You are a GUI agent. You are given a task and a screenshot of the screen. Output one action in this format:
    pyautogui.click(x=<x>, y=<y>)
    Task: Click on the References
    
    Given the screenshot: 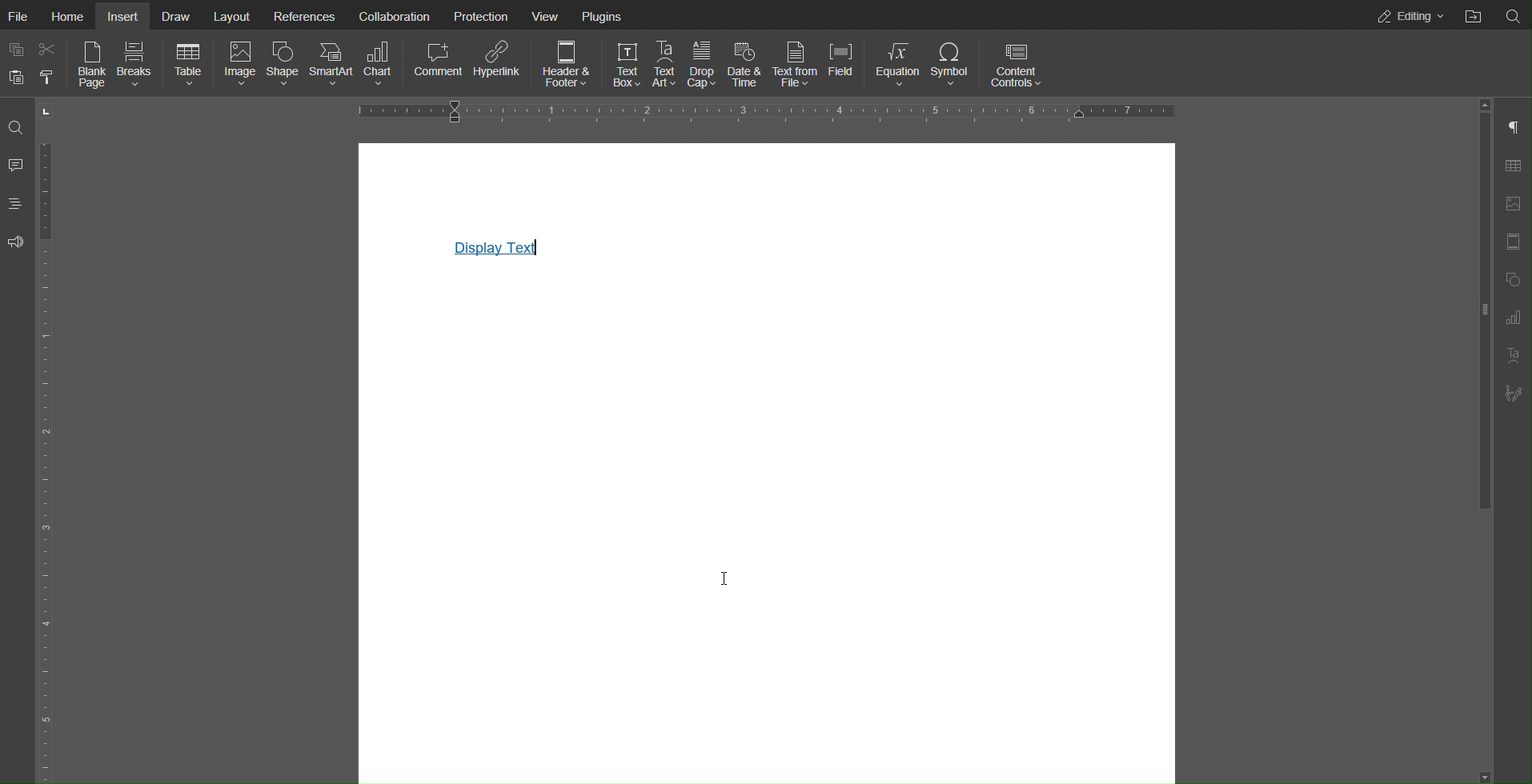 What is the action you would take?
    pyautogui.click(x=302, y=15)
    